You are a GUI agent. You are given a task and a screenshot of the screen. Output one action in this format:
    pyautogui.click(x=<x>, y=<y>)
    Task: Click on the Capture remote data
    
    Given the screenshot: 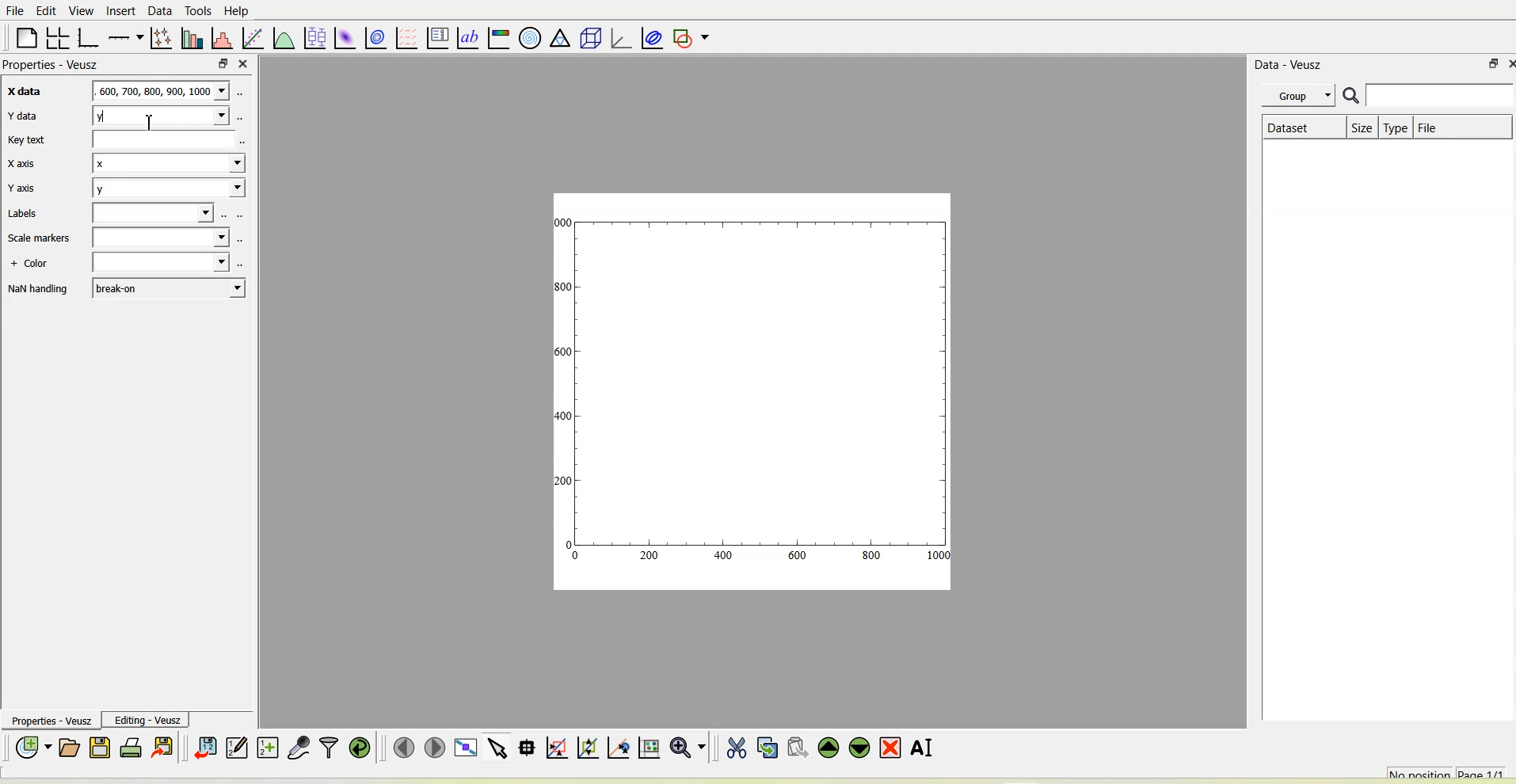 What is the action you would take?
    pyautogui.click(x=299, y=748)
    